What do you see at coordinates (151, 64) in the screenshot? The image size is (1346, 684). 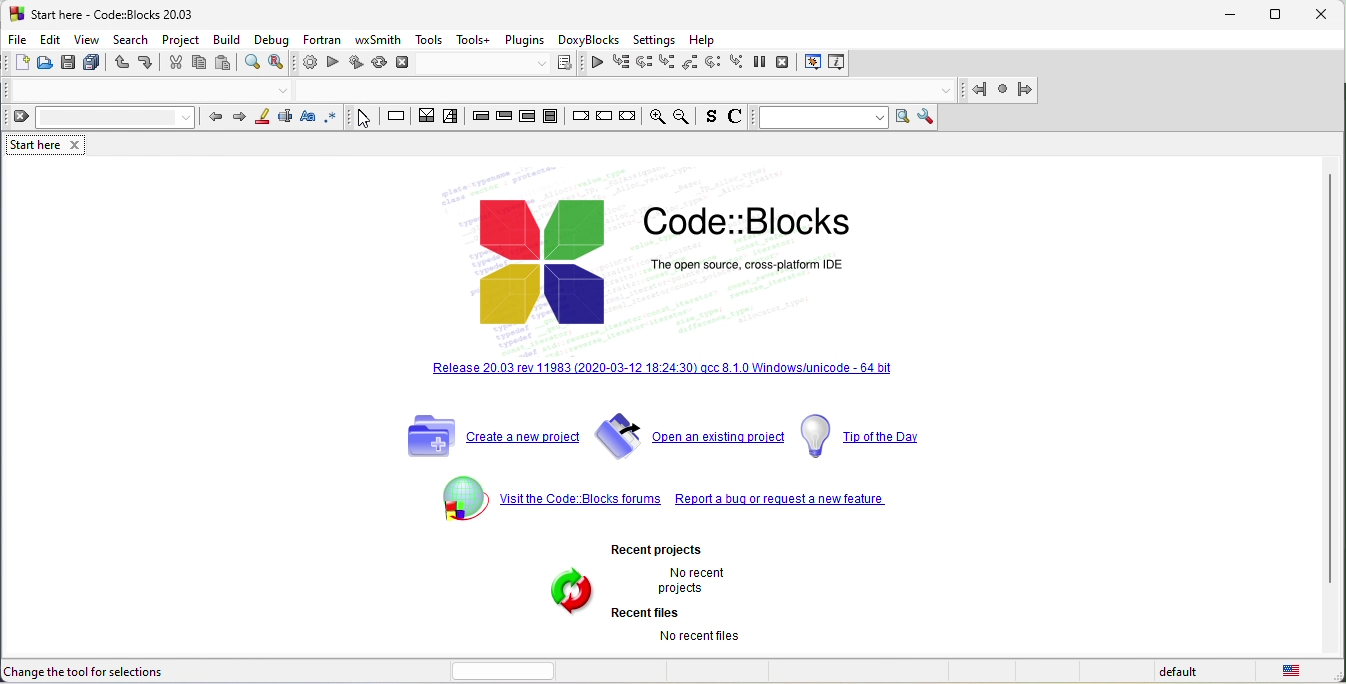 I see `redo` at bounding box center [151, 64].